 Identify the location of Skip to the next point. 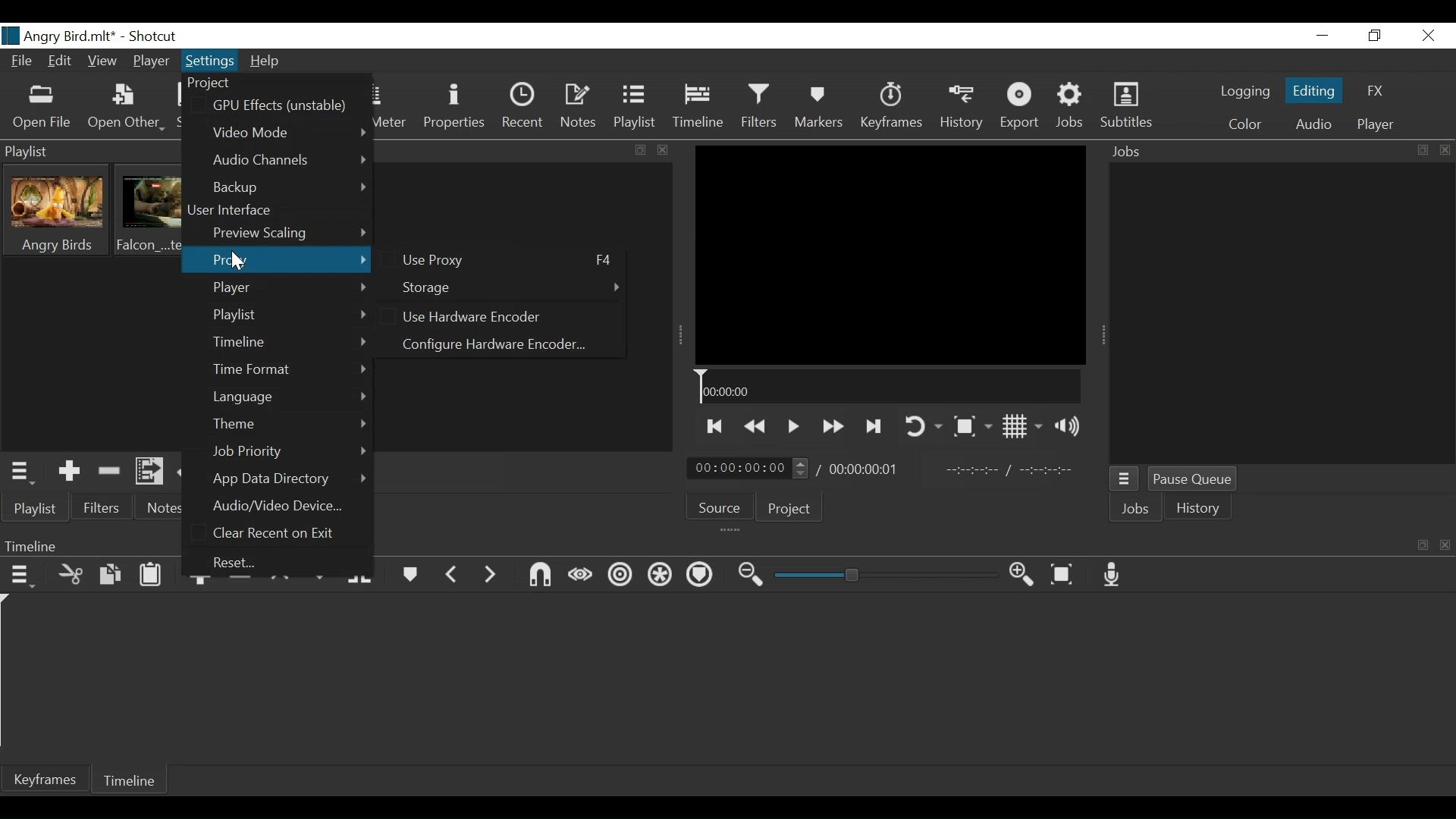
(872, 428).